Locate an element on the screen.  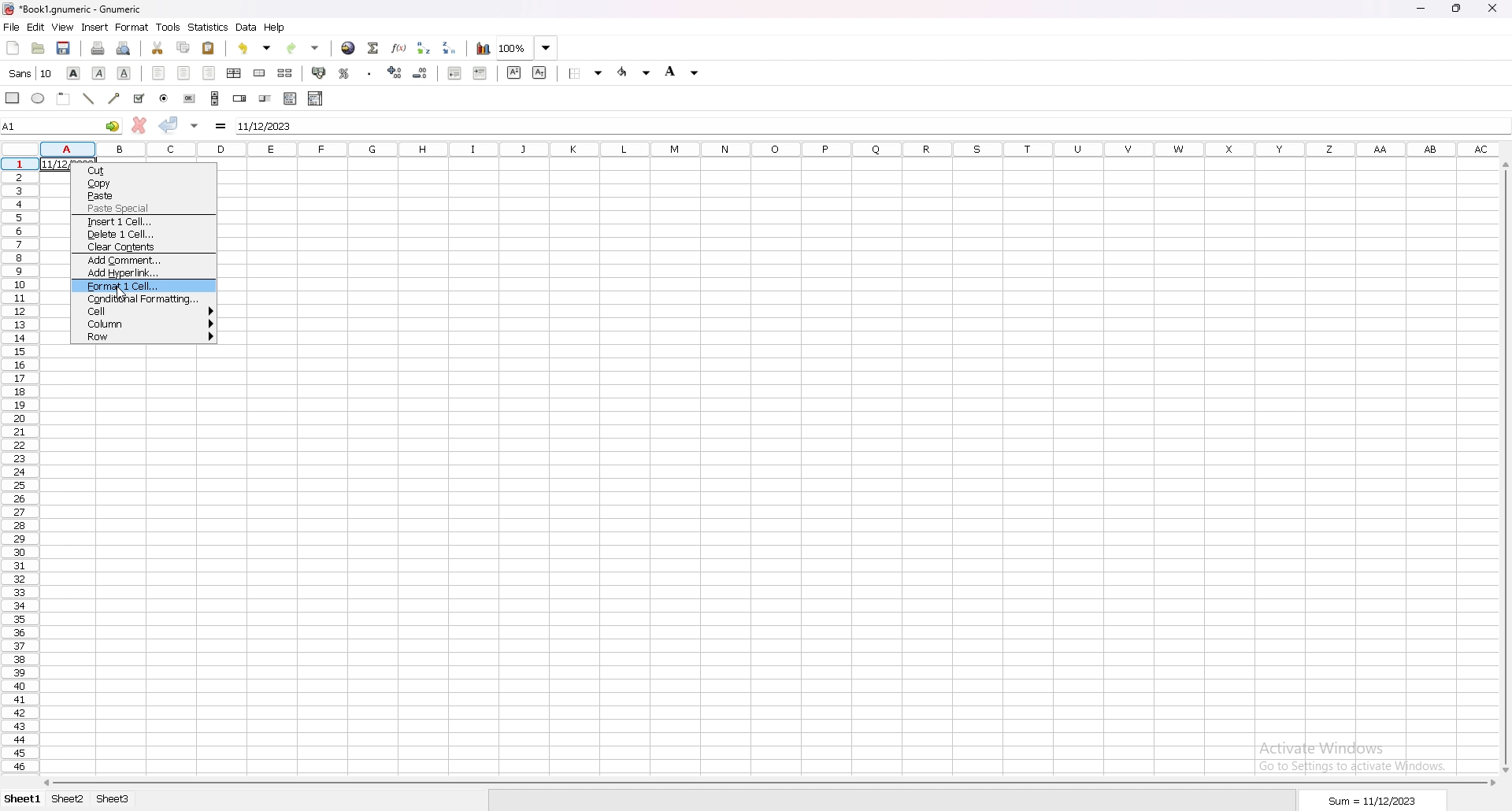
decrease indent is located at coordinates (455, 72).